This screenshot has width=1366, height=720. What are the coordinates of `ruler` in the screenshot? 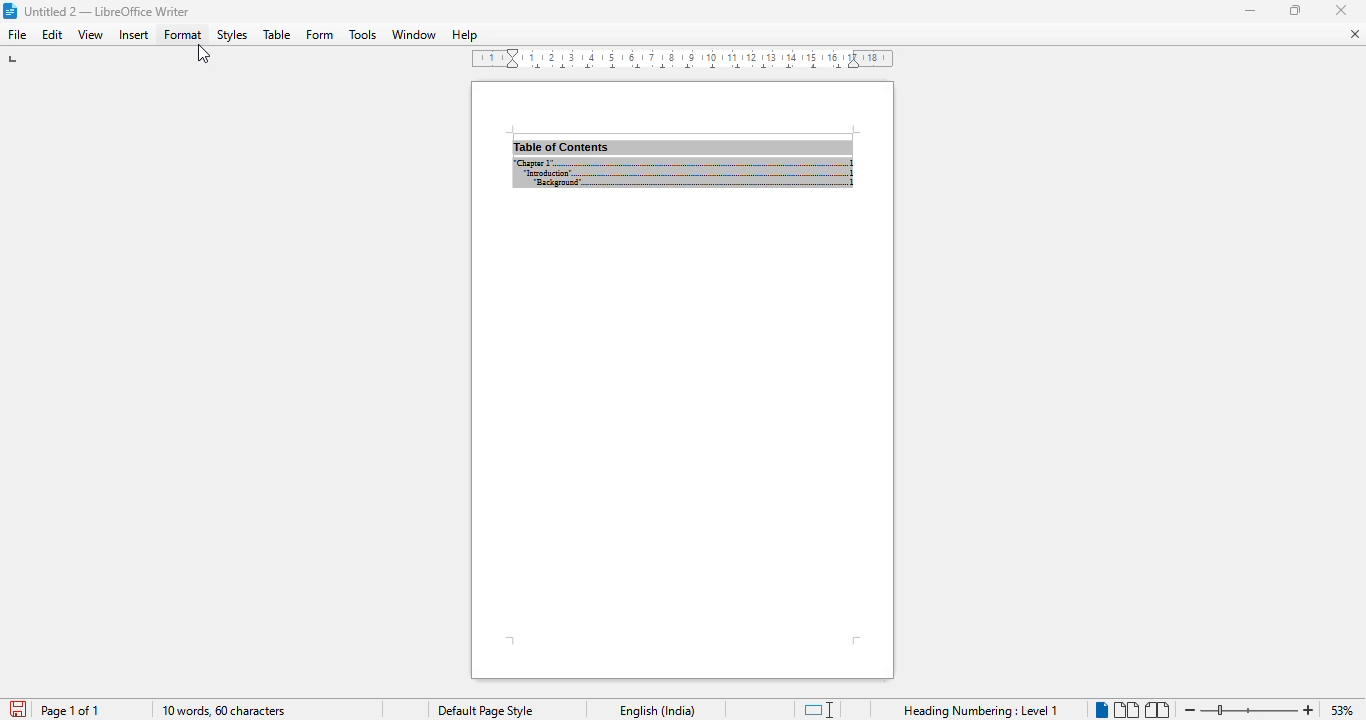 It's located at (680, 59).